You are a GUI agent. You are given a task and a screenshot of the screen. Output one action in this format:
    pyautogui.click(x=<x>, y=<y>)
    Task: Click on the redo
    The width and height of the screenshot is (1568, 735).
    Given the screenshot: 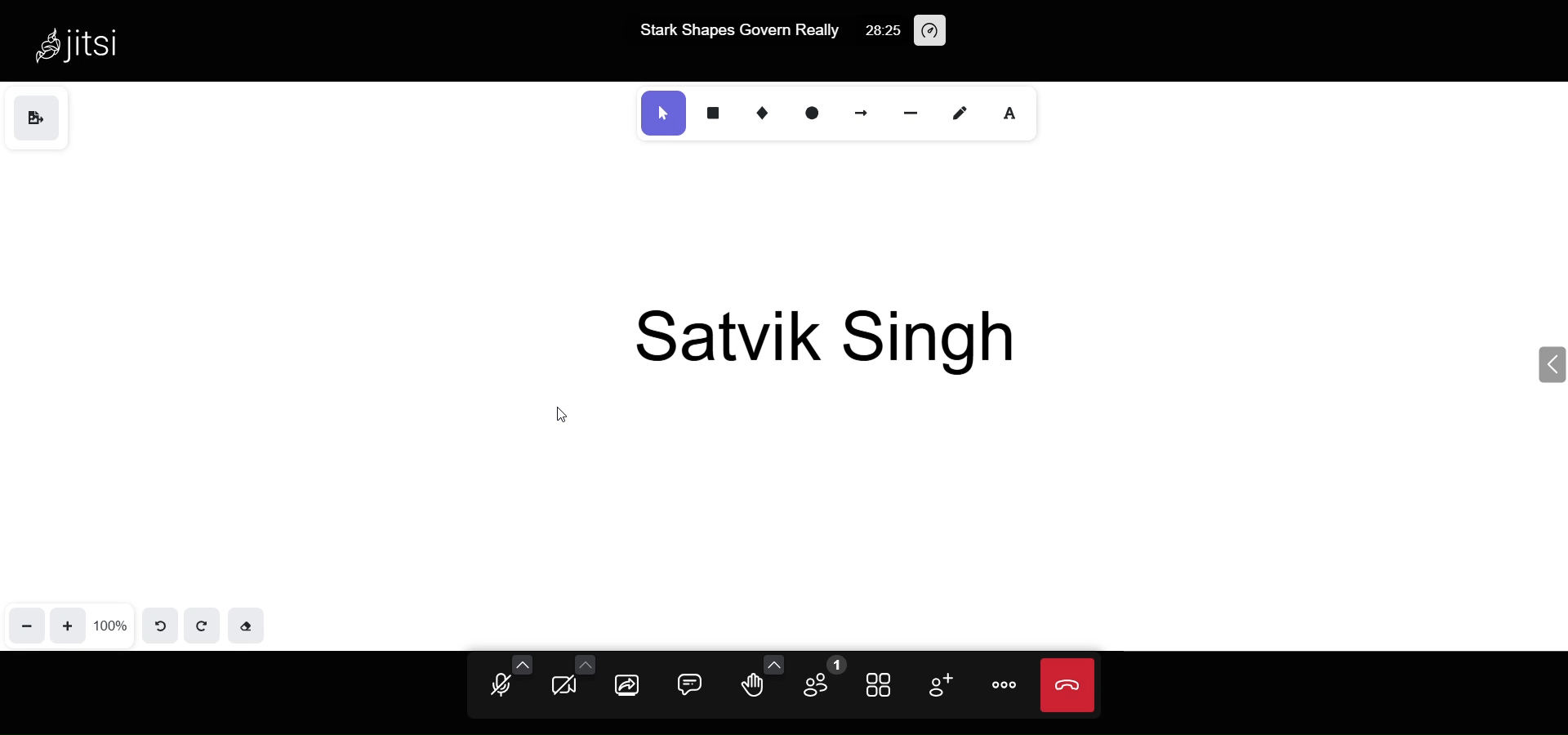 What is the action you would take?
    pyautogui.click(x=199, y=624)
    